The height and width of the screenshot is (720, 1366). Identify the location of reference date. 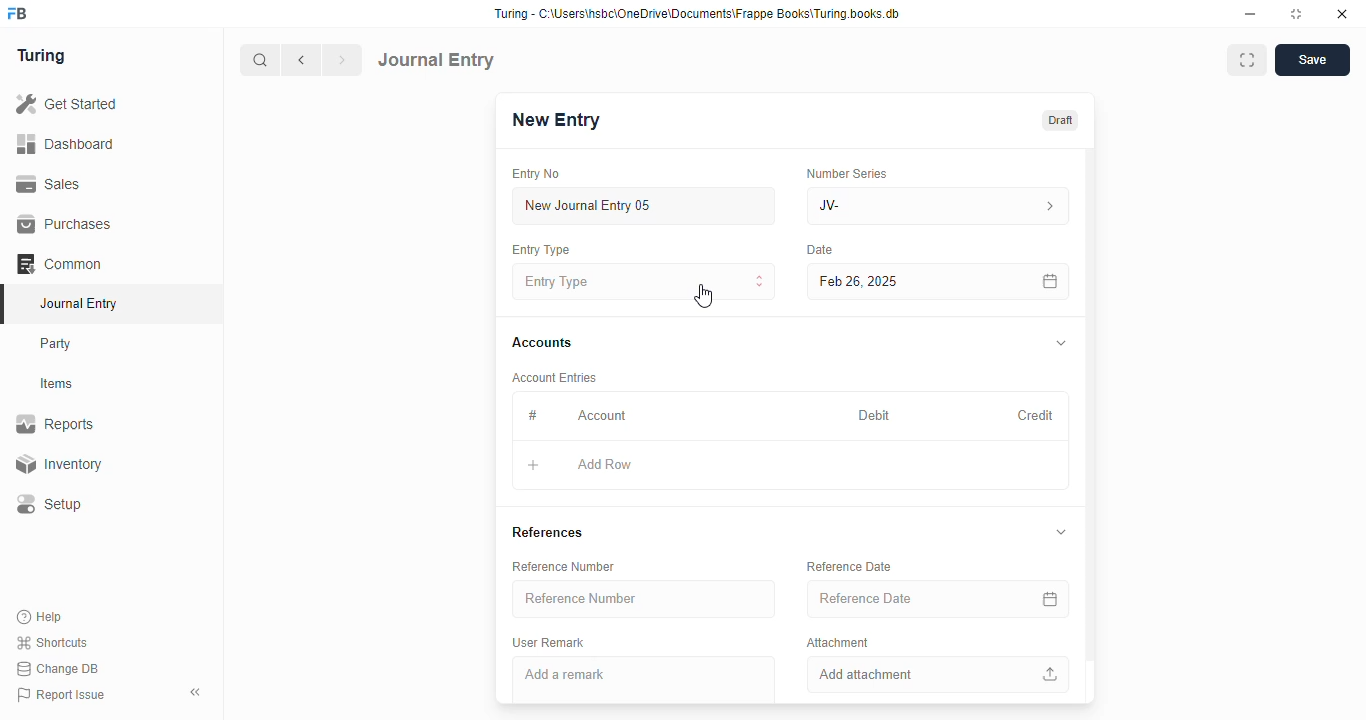
(907, 599).